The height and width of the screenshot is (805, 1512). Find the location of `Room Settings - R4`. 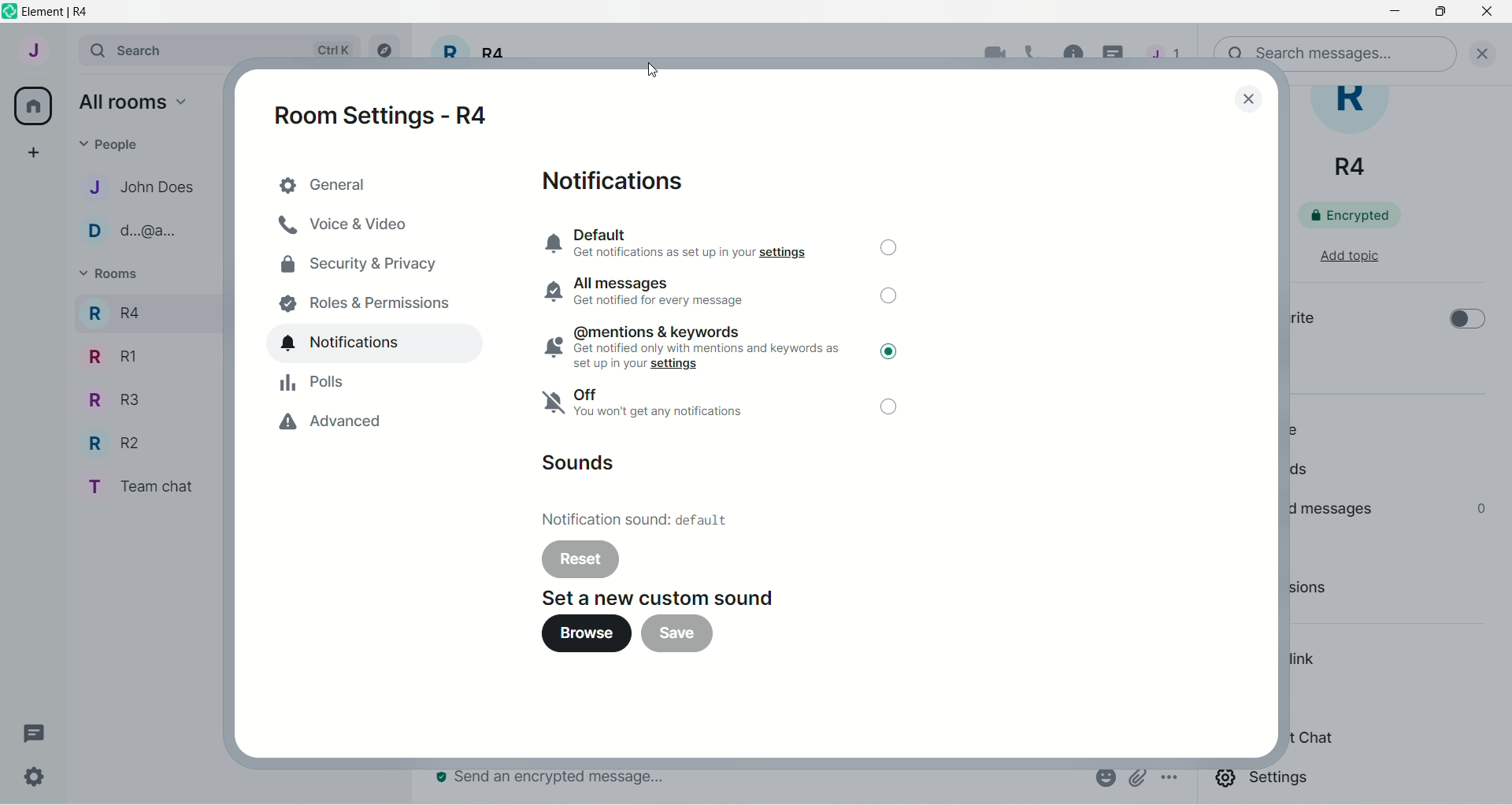

Room Settings - R4 is located at coordinates (392, 114).